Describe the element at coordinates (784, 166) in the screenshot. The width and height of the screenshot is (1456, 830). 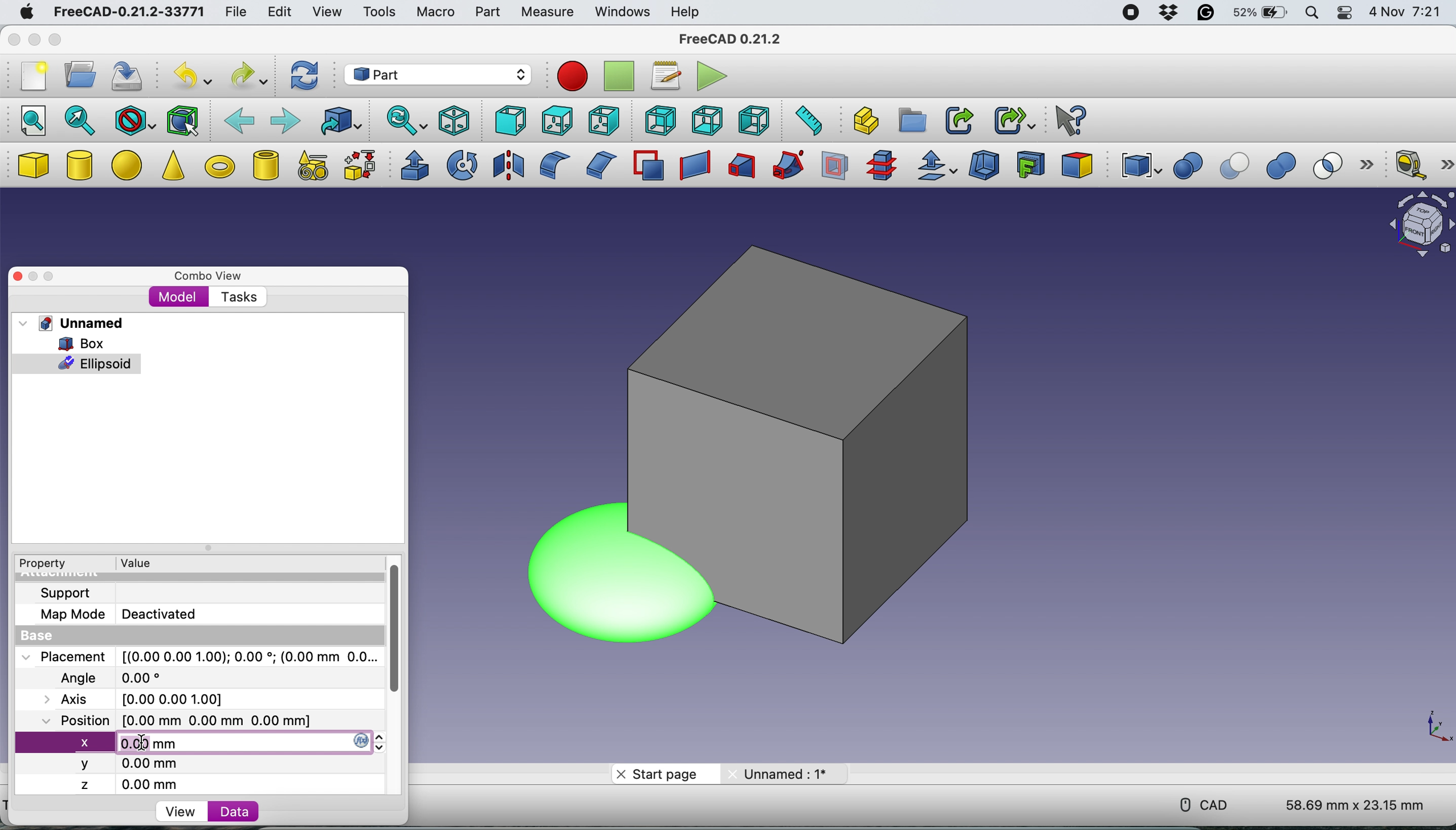
I see `sweep` at that location.